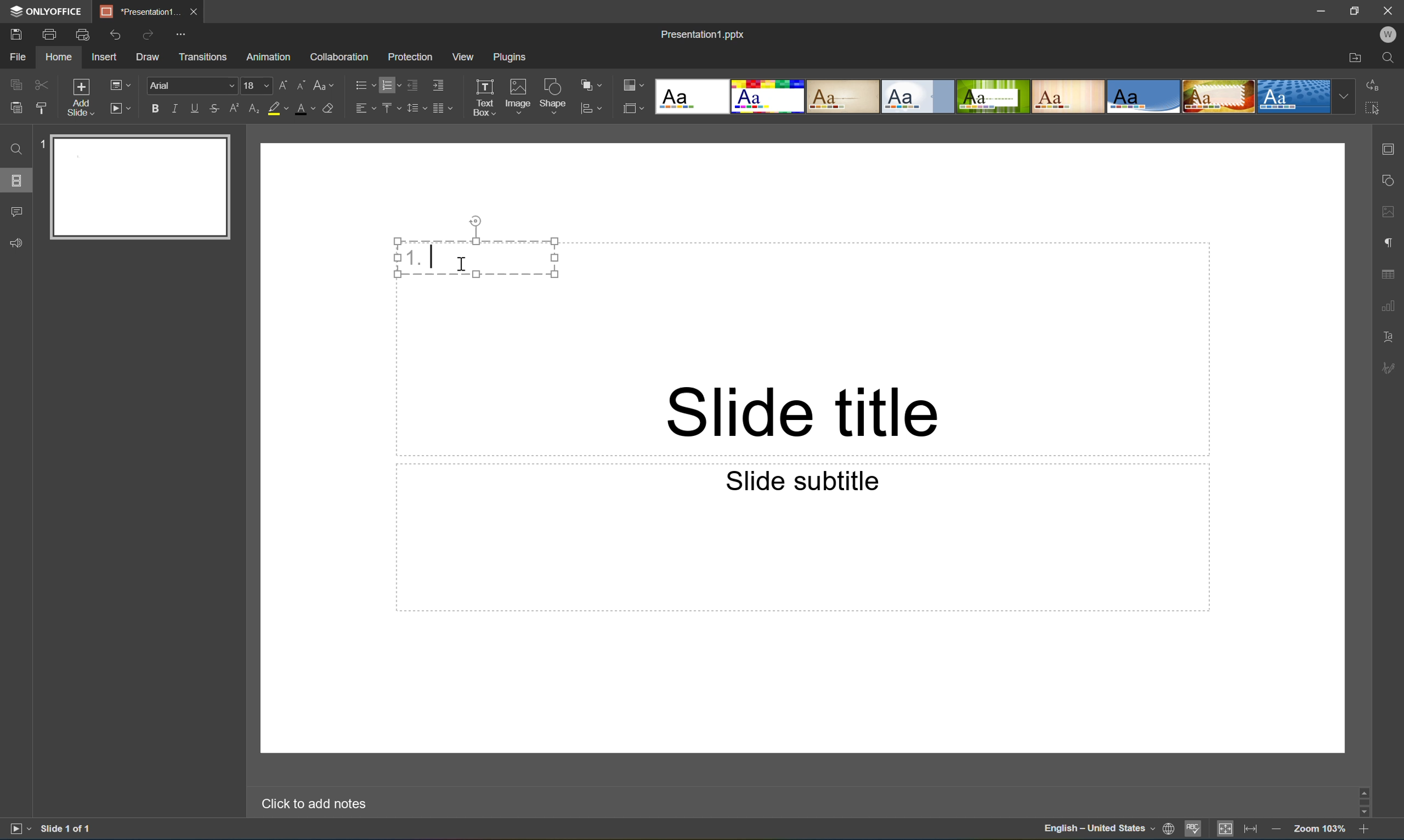  What do you see at coordinates (41, 82) in the screenshot?
I see `Cut` at bounding box center [41, 82].